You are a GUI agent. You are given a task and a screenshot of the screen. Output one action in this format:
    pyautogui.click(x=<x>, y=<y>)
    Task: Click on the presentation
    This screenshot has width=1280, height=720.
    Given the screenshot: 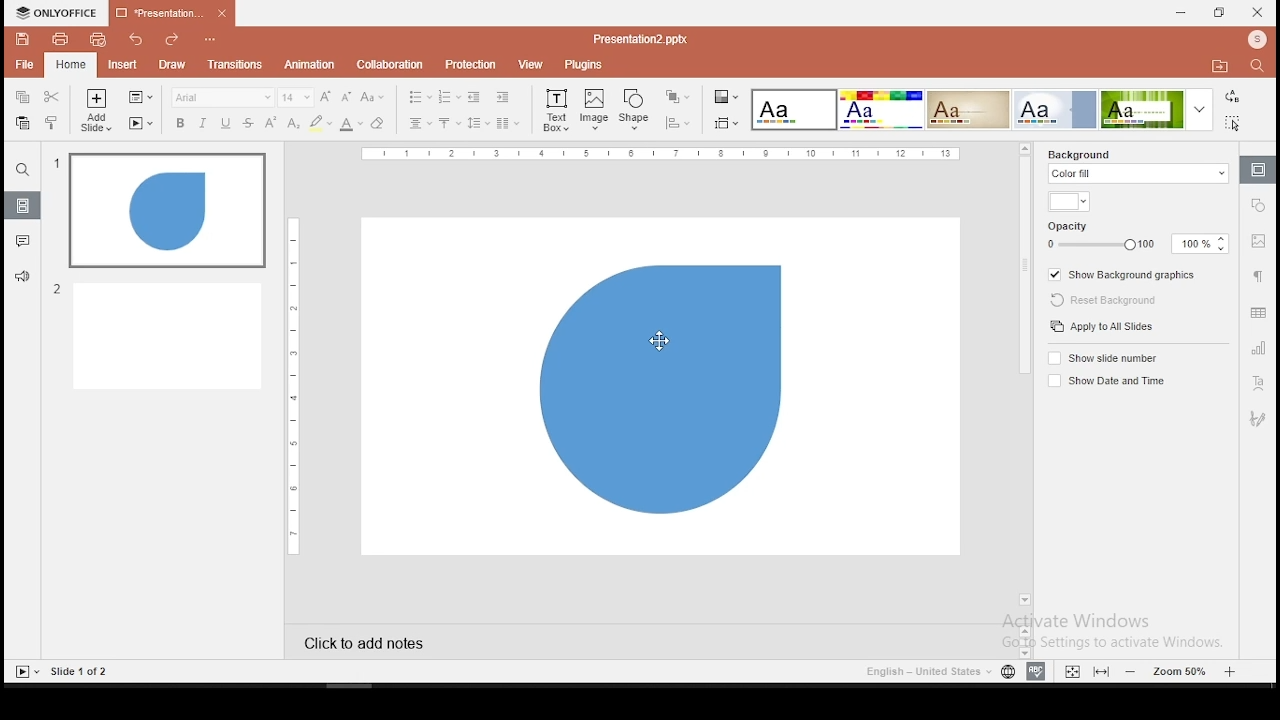 What is the action you would take?
    pyautogui.click(x=170, y=14)
    